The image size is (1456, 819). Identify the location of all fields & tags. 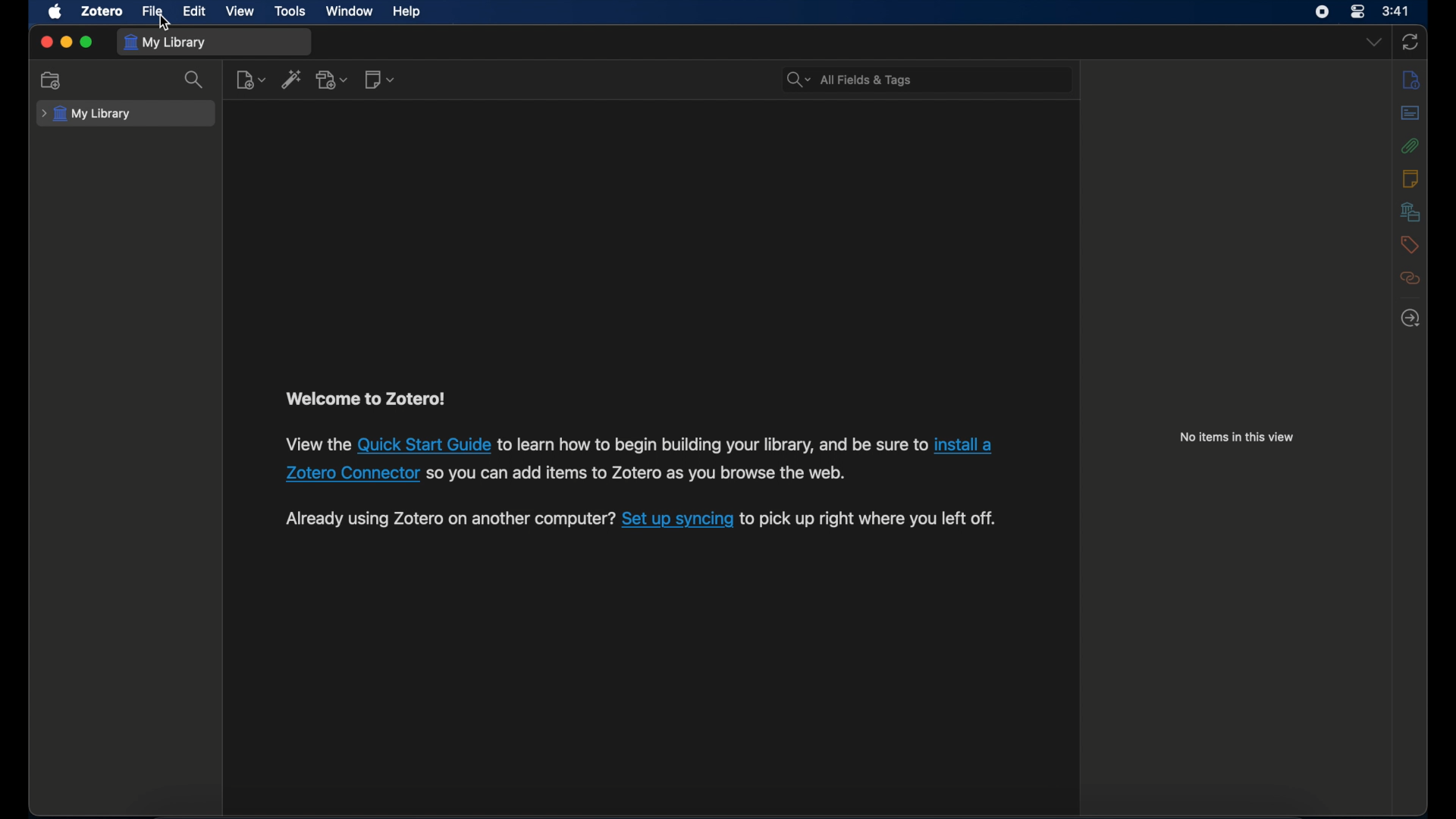
(850, 80).